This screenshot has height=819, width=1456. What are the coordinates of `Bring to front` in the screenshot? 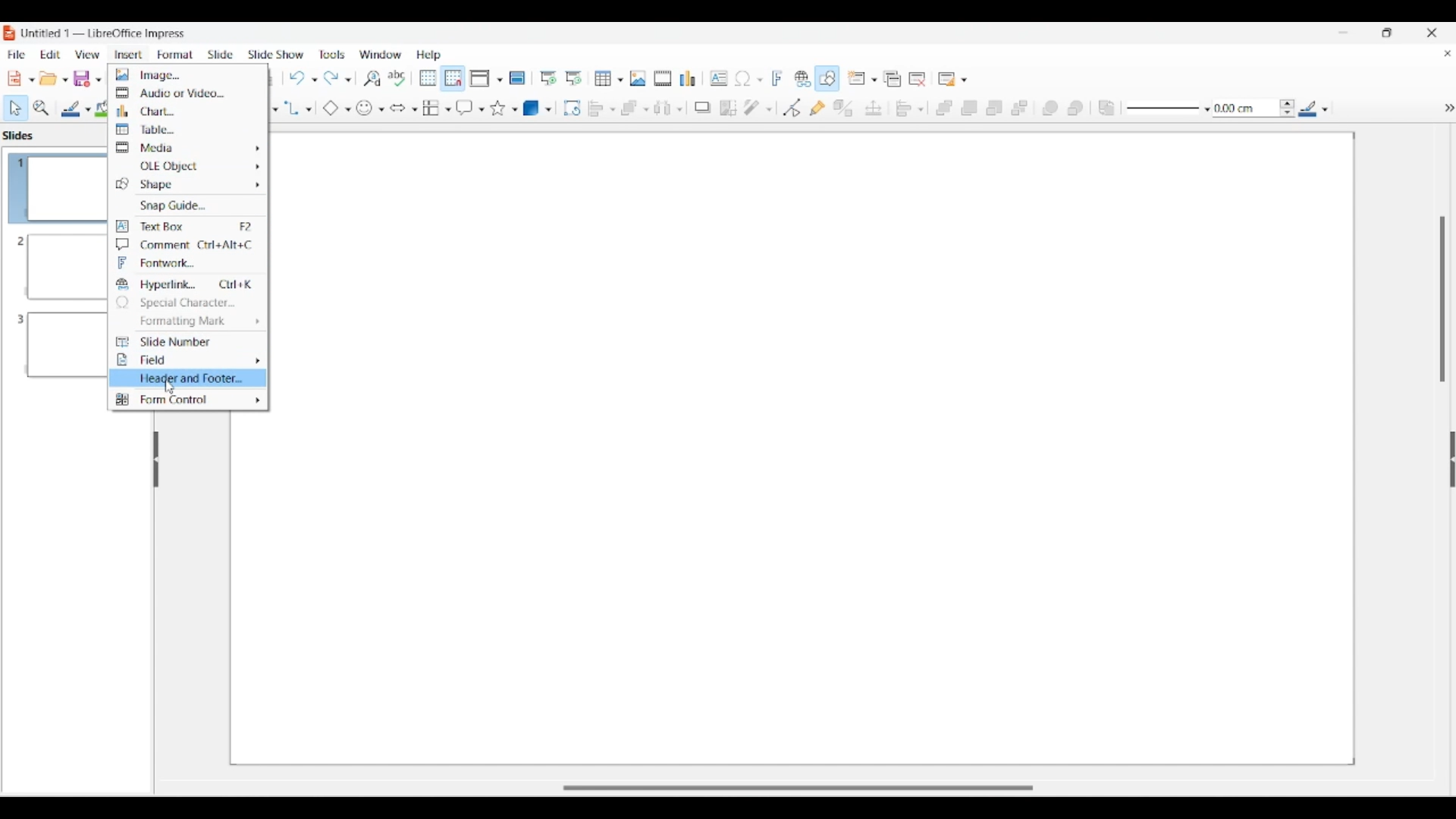 It's located at (944, 108).